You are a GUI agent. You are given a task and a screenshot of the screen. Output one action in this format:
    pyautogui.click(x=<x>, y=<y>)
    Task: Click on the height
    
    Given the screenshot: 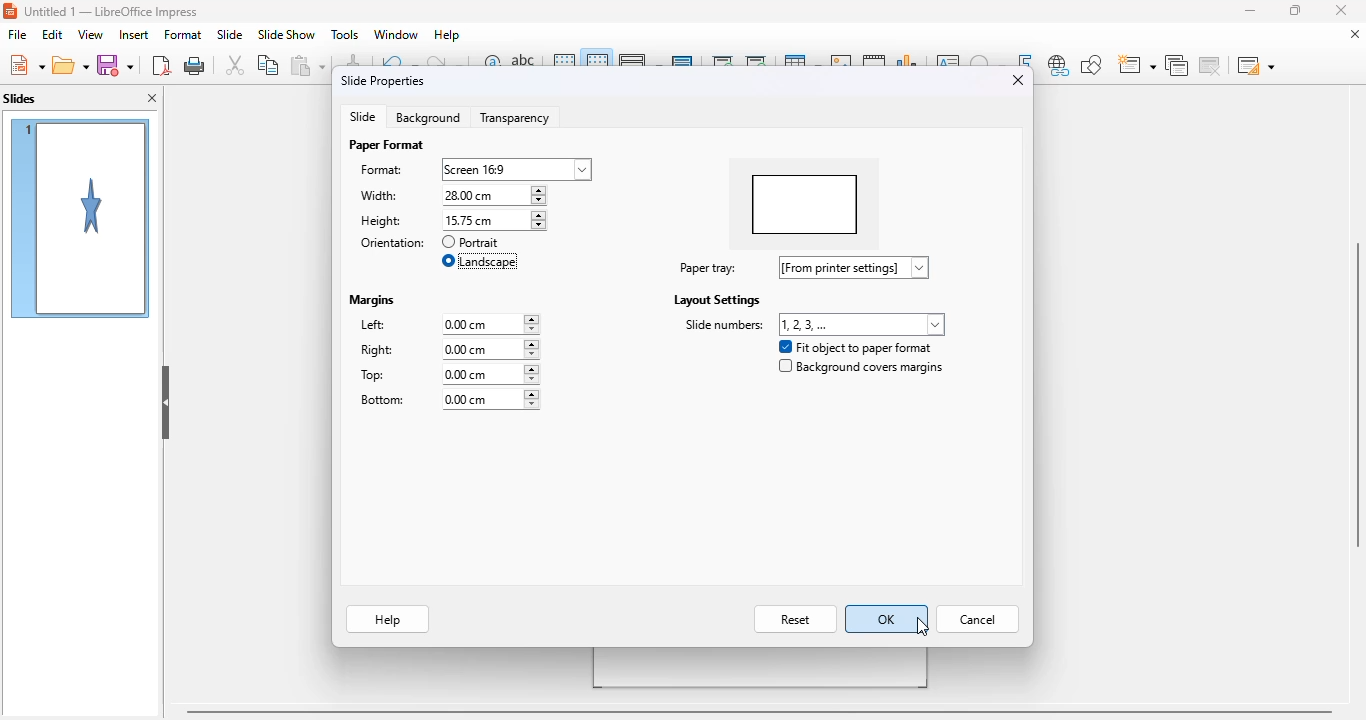 What is the action you would take?
    pyautogui.click(x=382, y=220)
    